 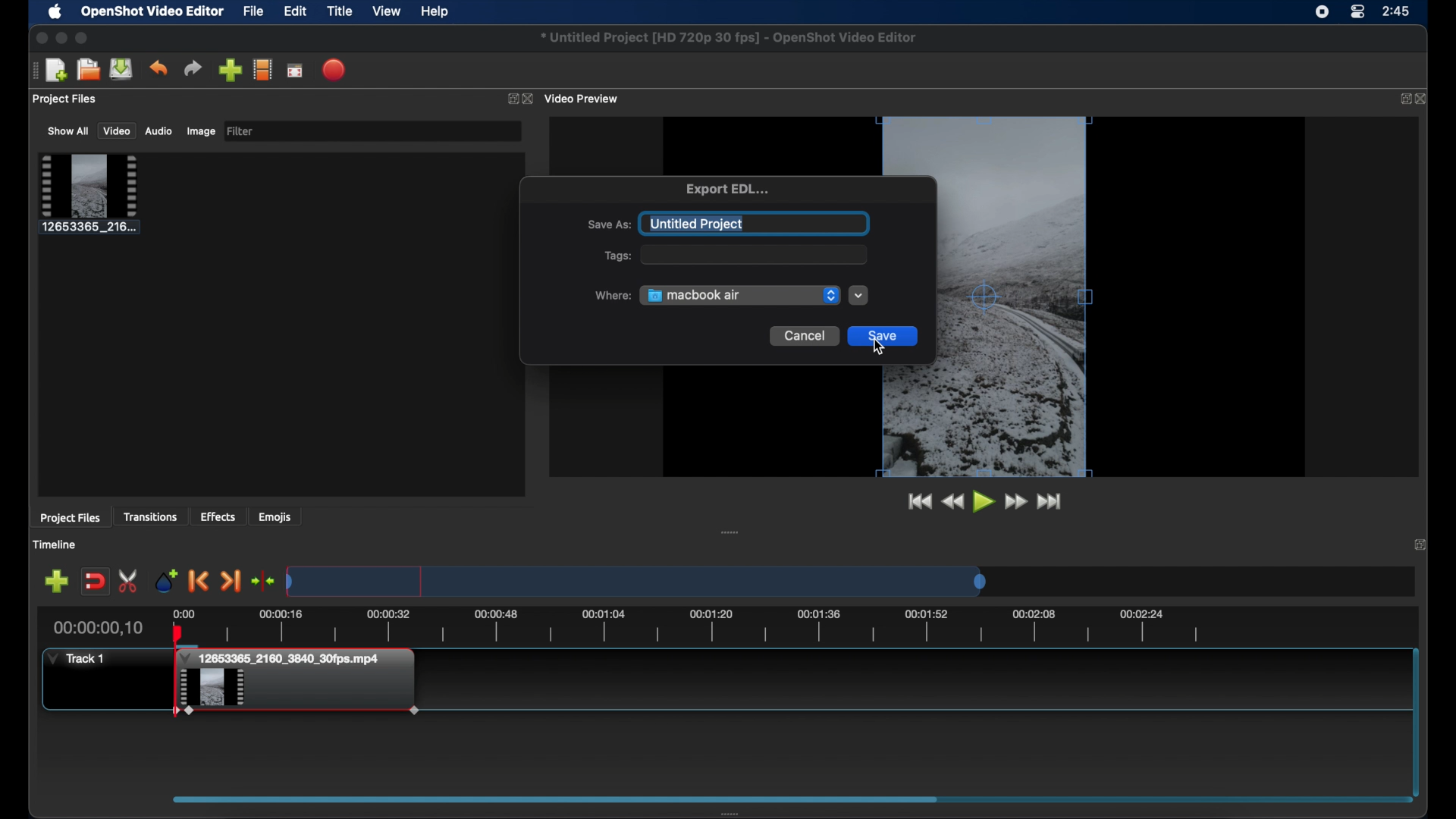 I want to click on effects, so click(x=218, y=516).